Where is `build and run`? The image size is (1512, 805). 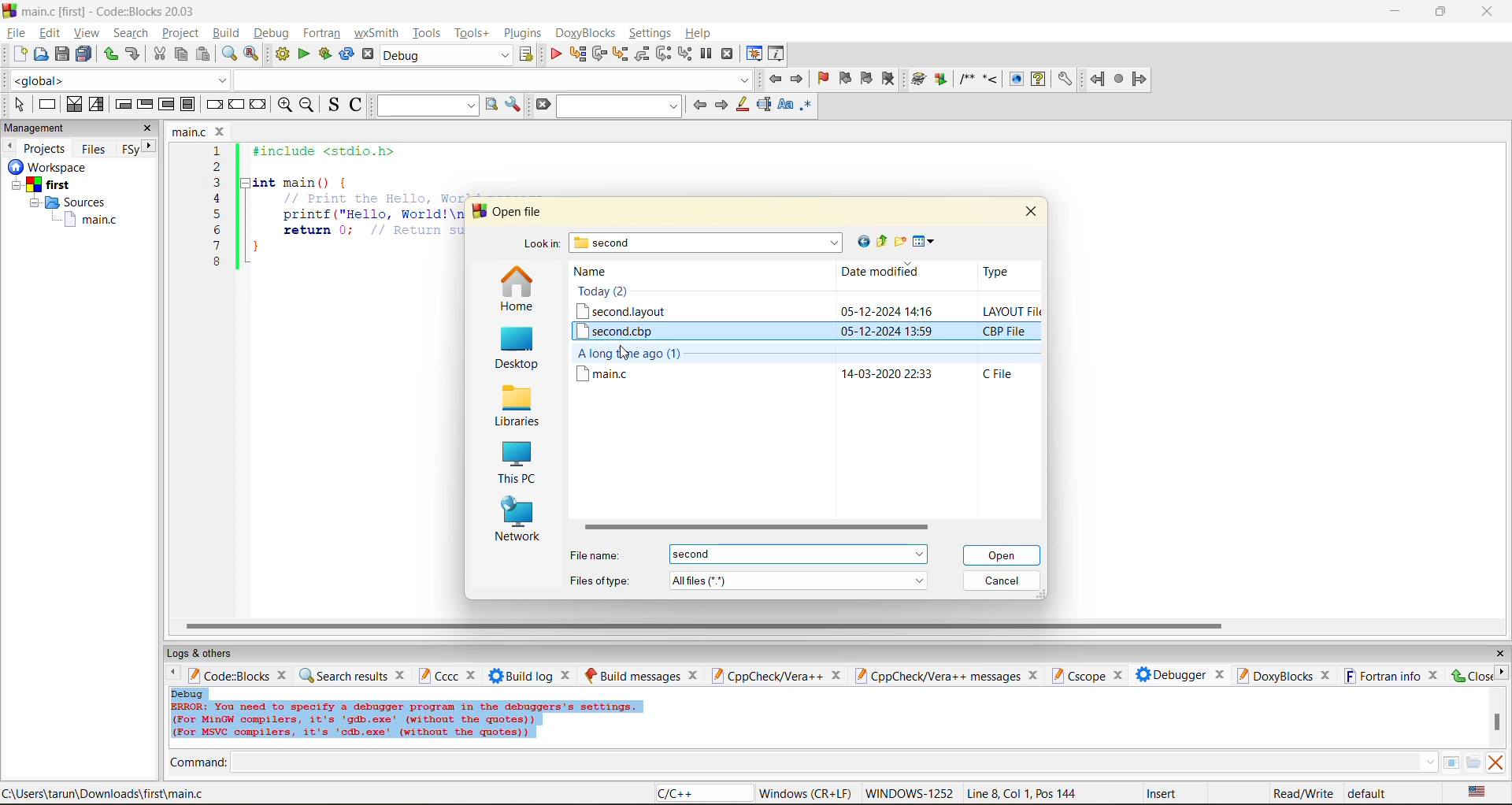 build and run is located at coordinates (325, 54).